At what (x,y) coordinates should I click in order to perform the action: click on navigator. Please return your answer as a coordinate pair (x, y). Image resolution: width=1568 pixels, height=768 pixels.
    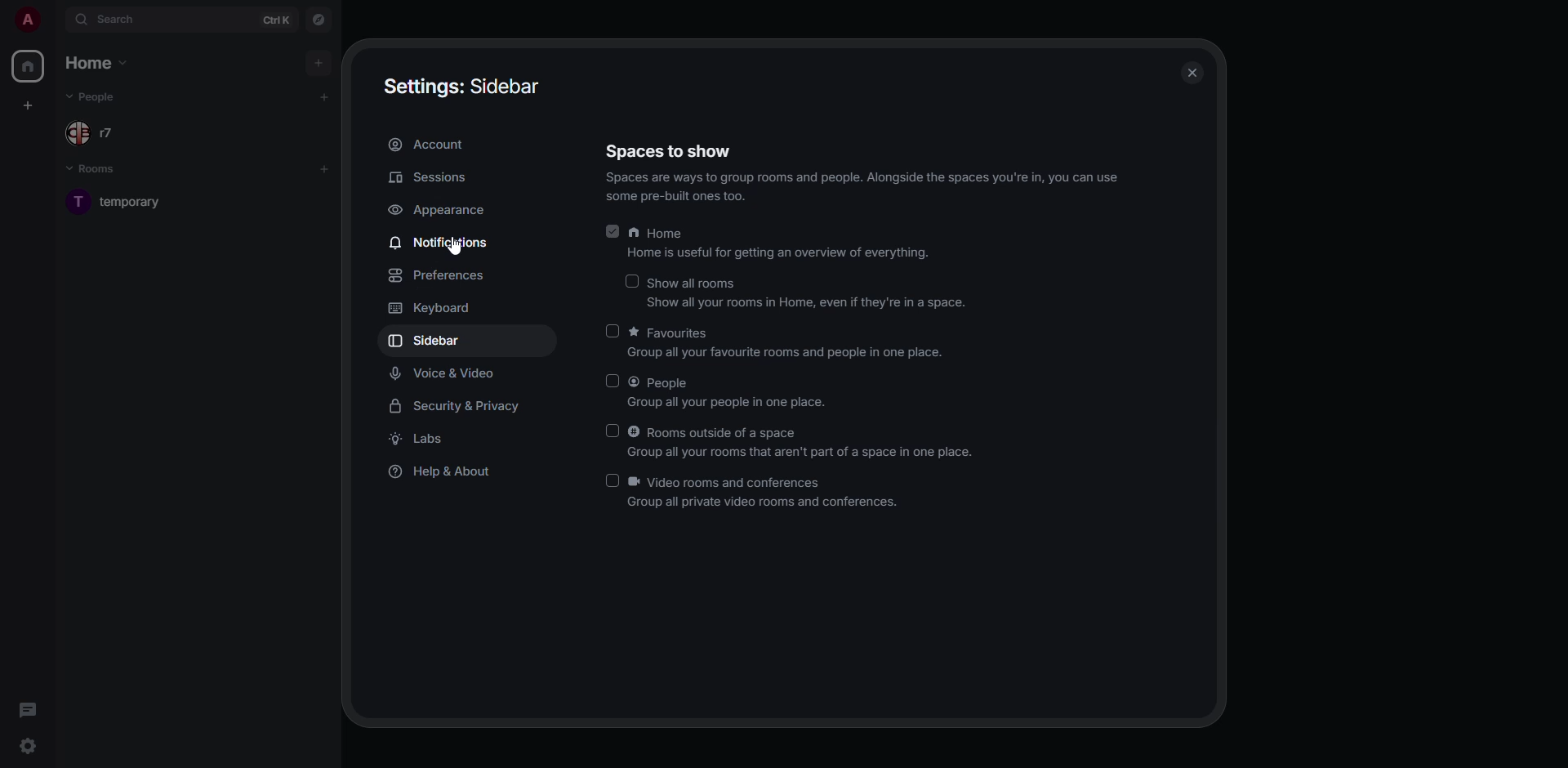
    Looking at the image, I should click on (318, 21).